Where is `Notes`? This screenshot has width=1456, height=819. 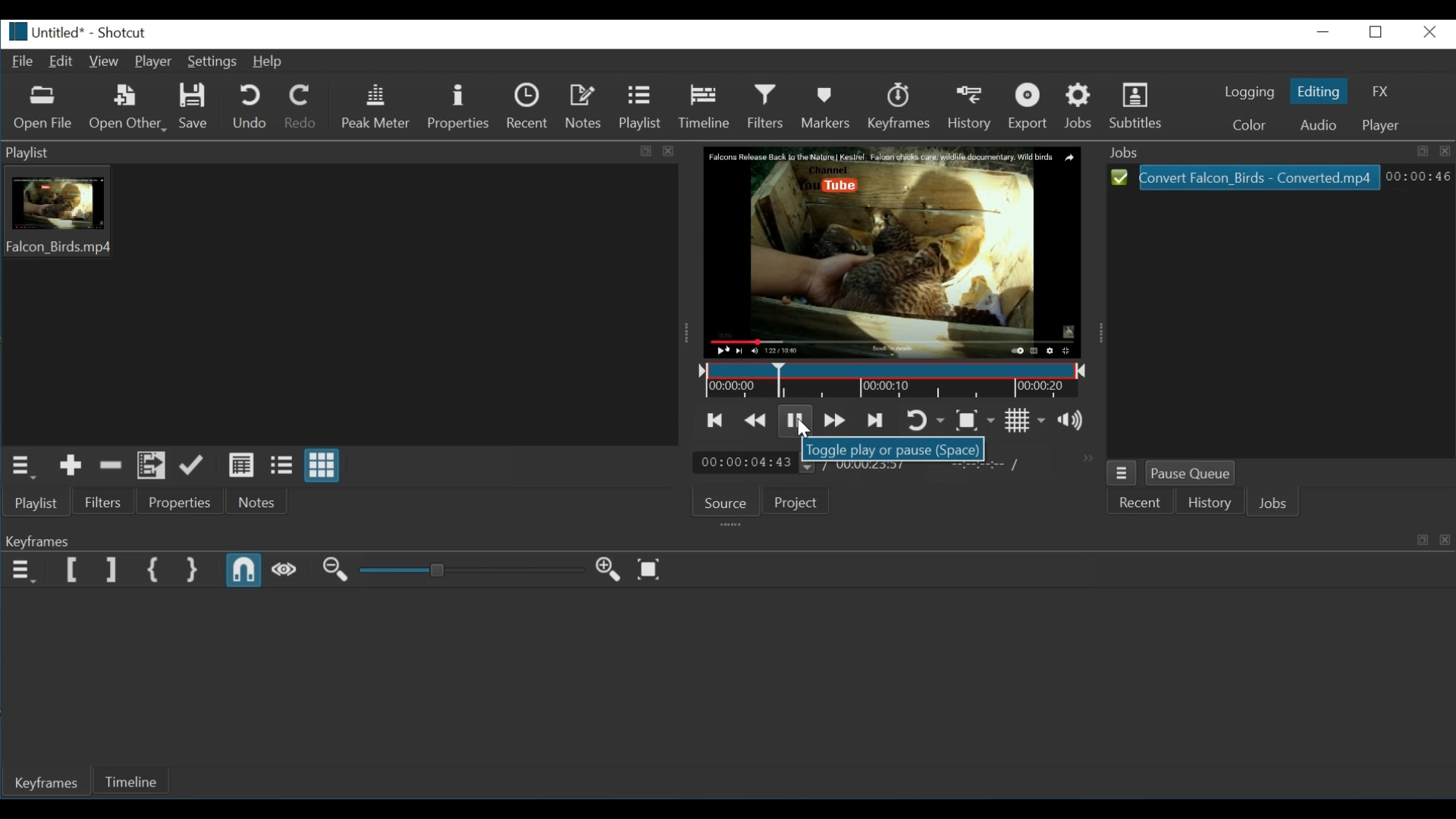 Notes is located at coordinates (582, 105).